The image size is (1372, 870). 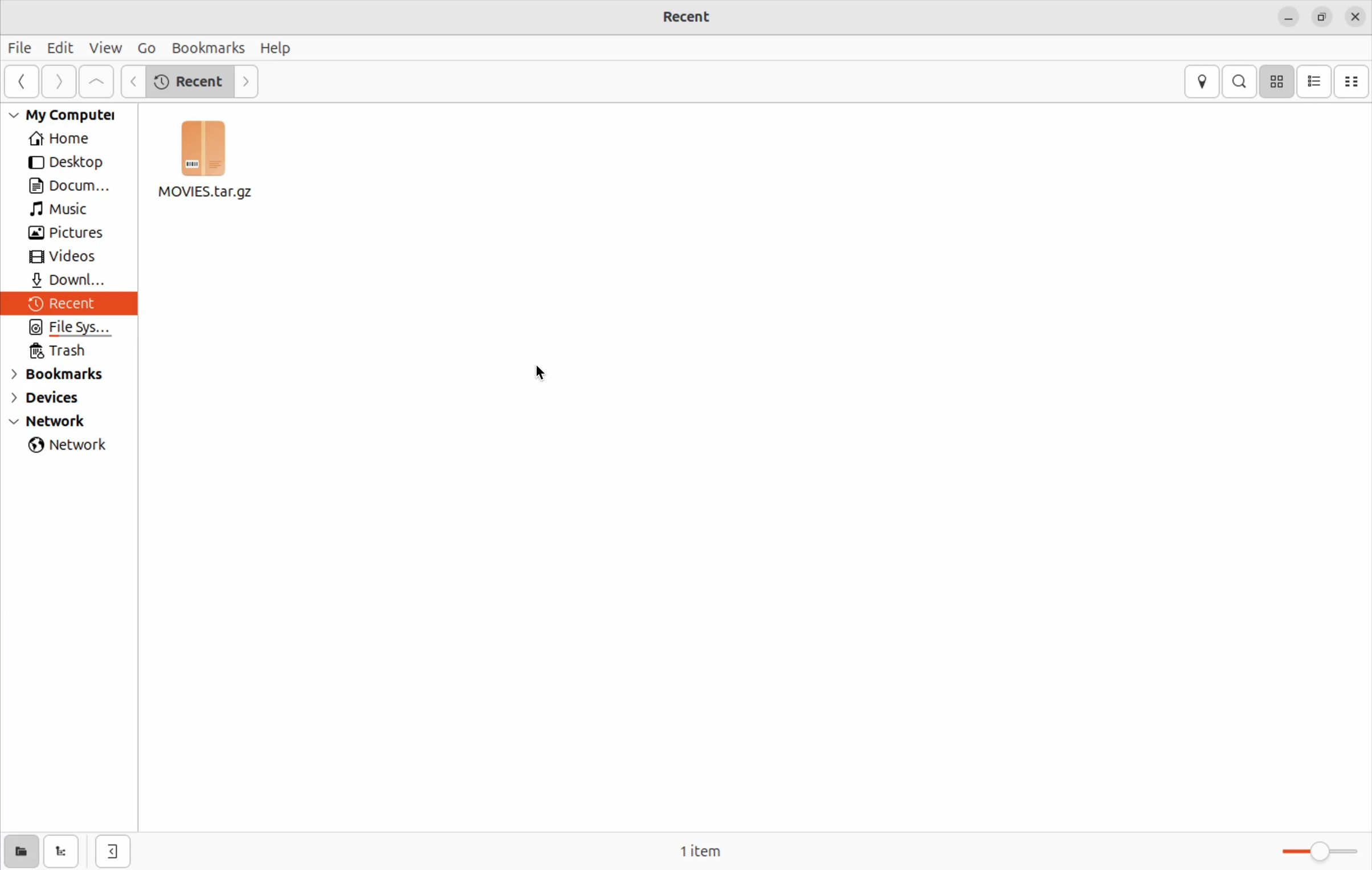 I want to click on recent, so click(x=192, y=81).